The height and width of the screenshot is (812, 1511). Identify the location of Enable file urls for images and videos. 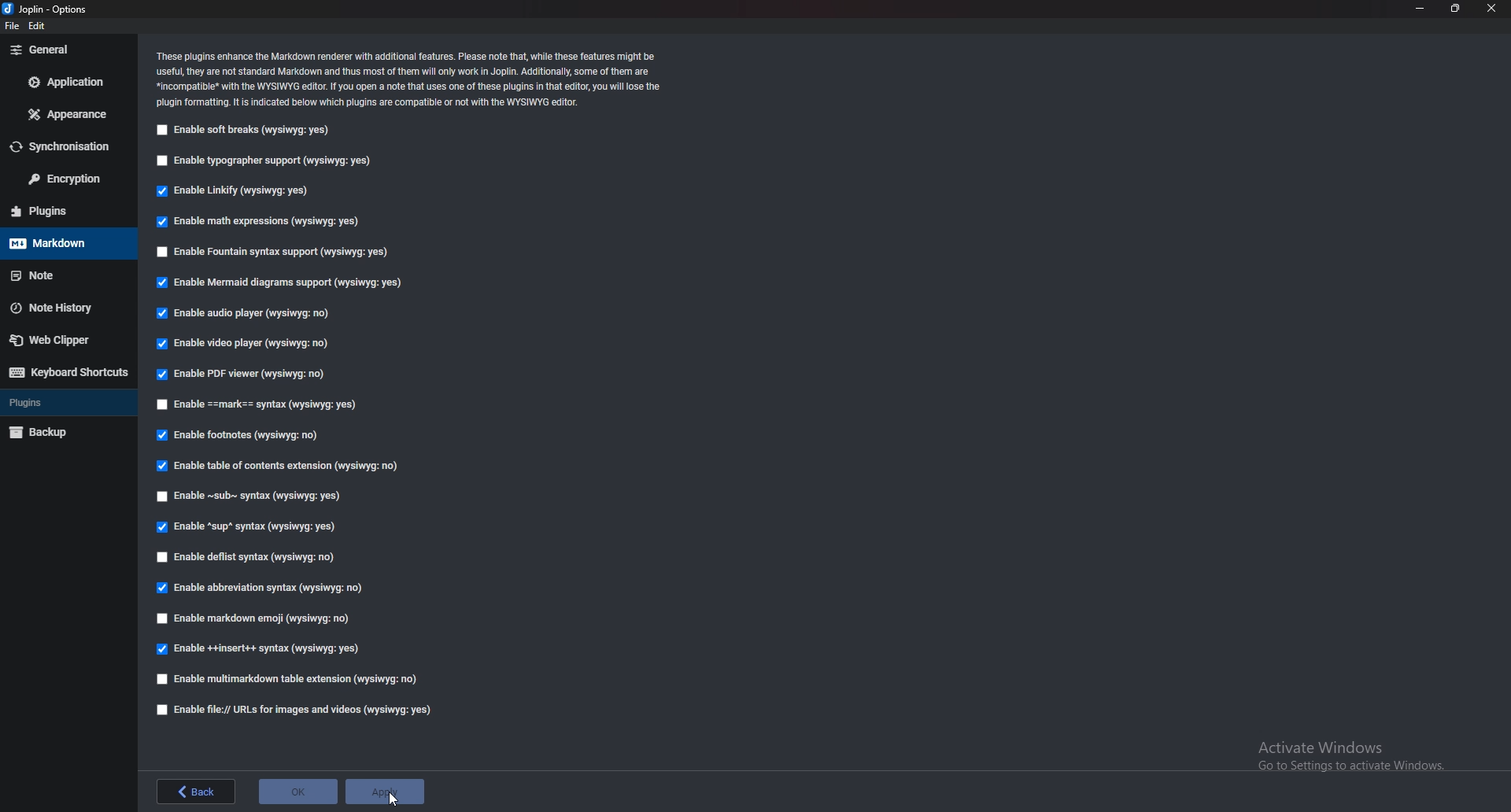
(289, 709).